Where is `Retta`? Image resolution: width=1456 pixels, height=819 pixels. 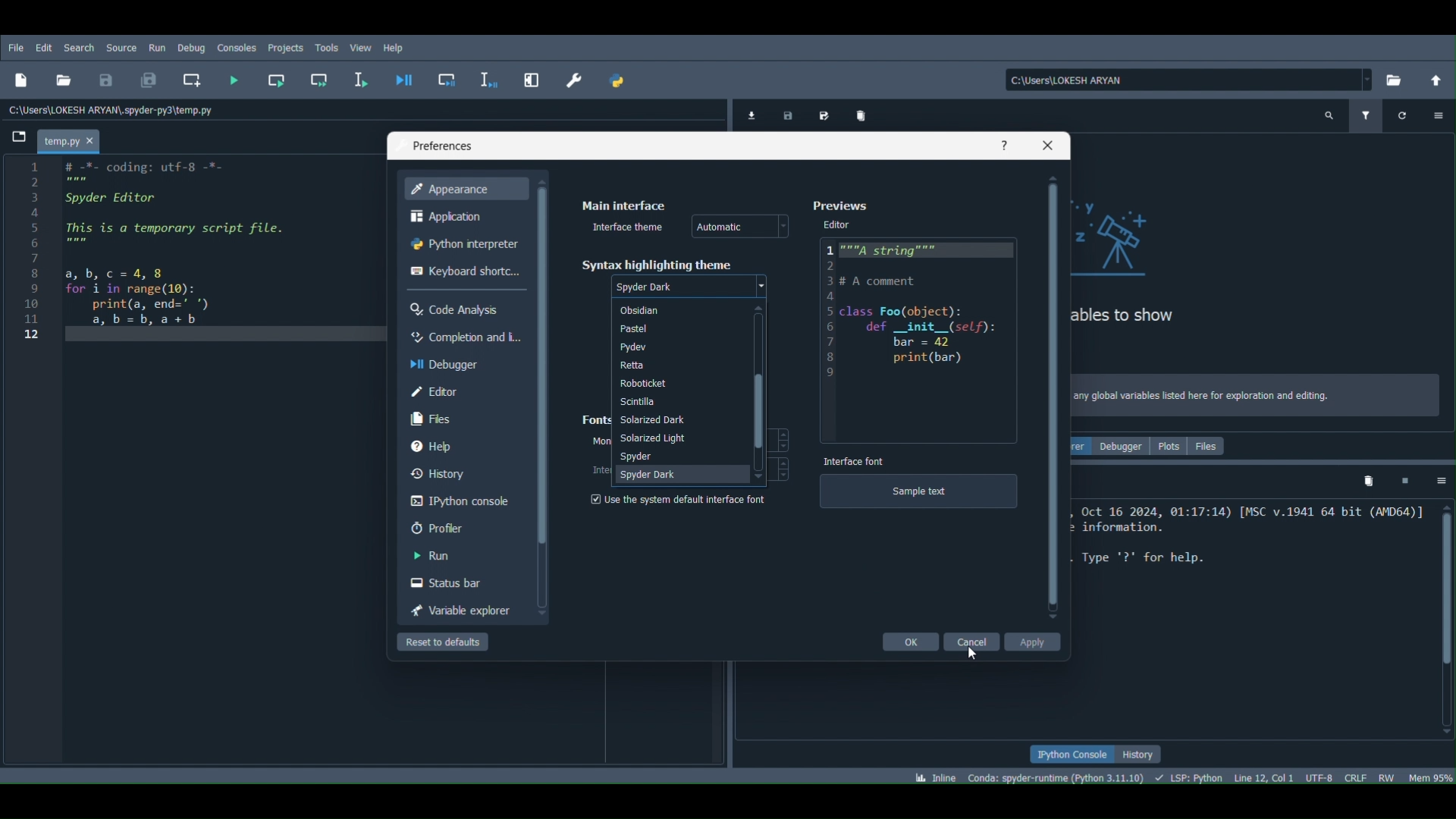 Retta is located at coordinates (678, 365).